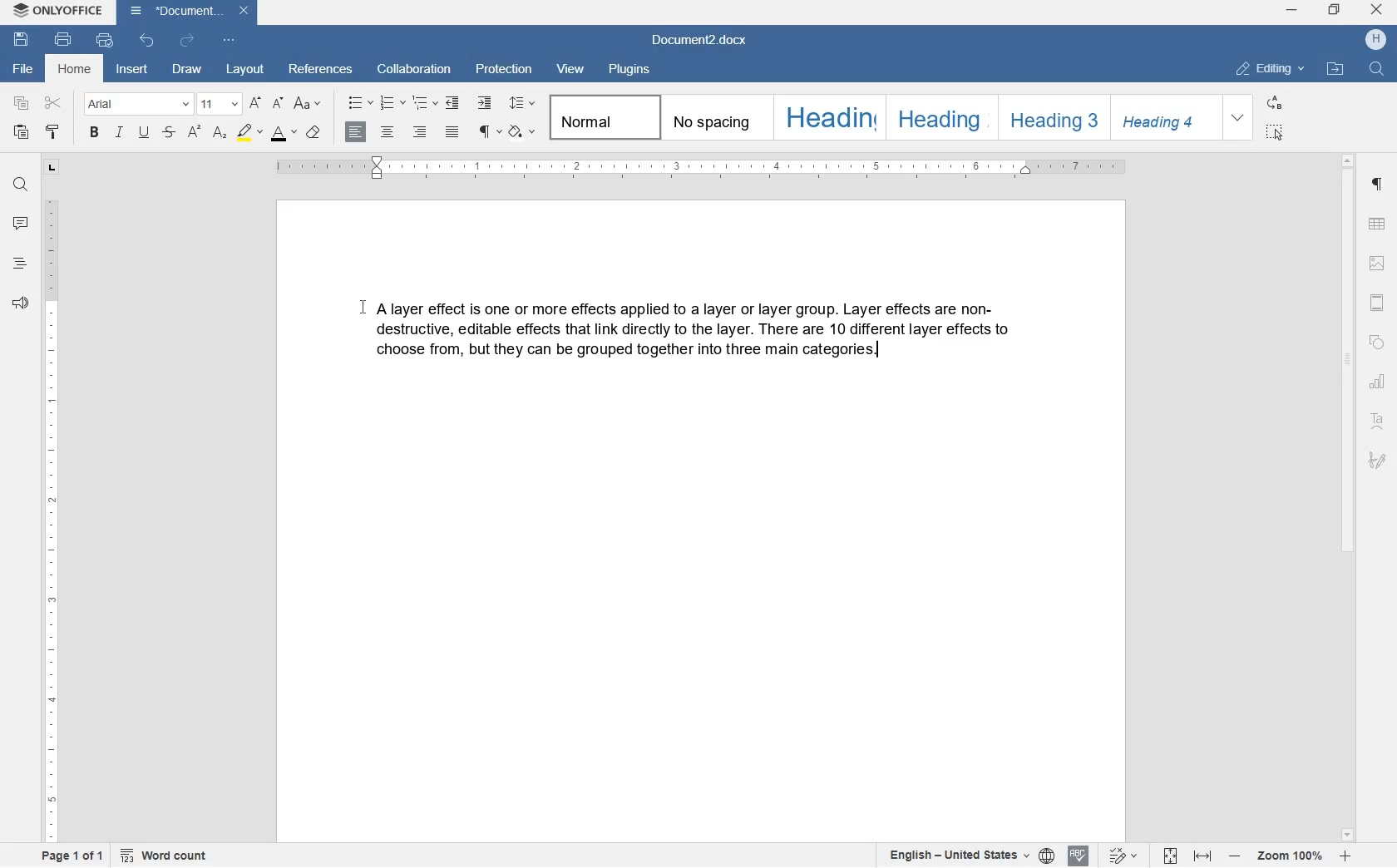 The image size is (1397, 868). I want to click on zoom in or zoom out, so click(1289, 856).